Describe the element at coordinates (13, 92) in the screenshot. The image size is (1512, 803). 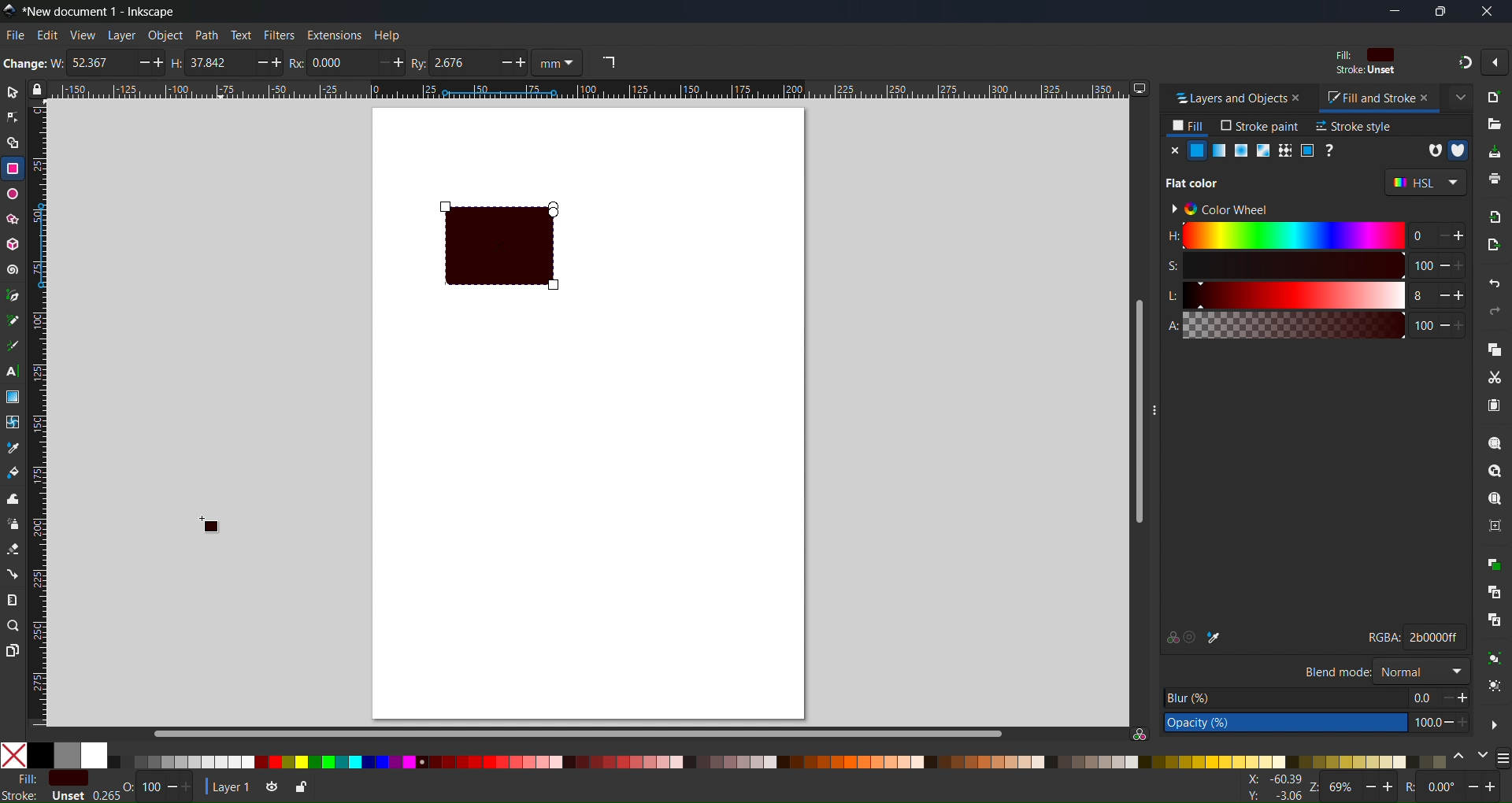
I see `Selector tool` at that location.